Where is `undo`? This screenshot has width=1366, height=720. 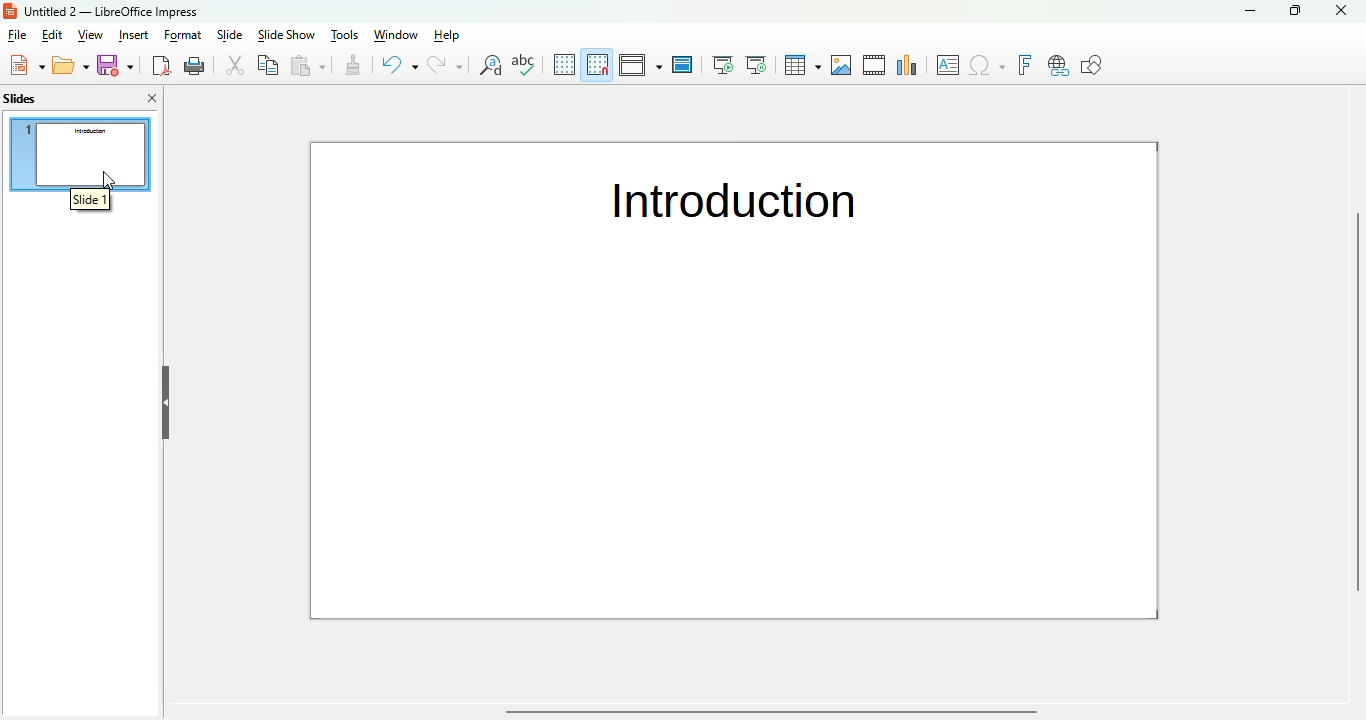
undo is located at coordinates (399, 65).